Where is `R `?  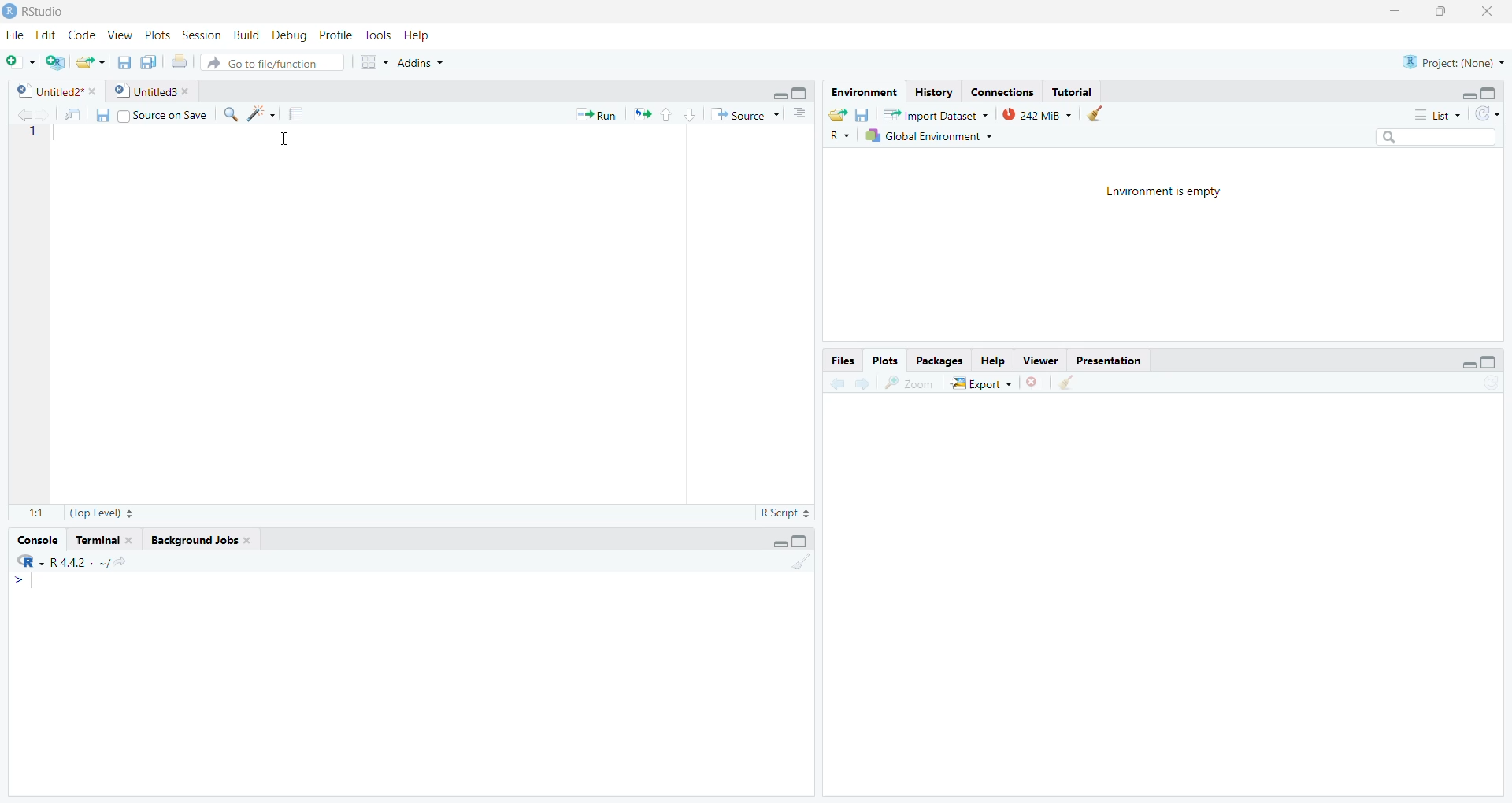 R  is located at coordinates (31, 561).